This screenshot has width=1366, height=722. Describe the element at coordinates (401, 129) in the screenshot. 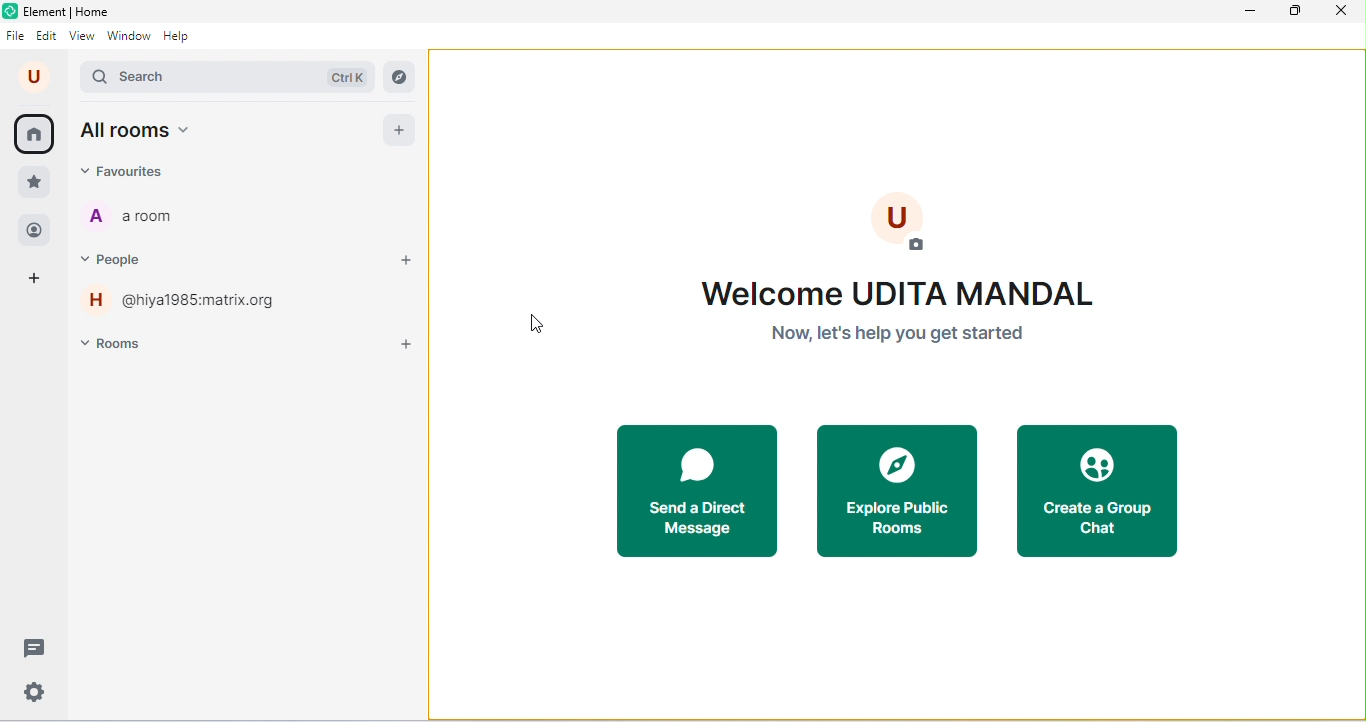

I see `add` at that location.